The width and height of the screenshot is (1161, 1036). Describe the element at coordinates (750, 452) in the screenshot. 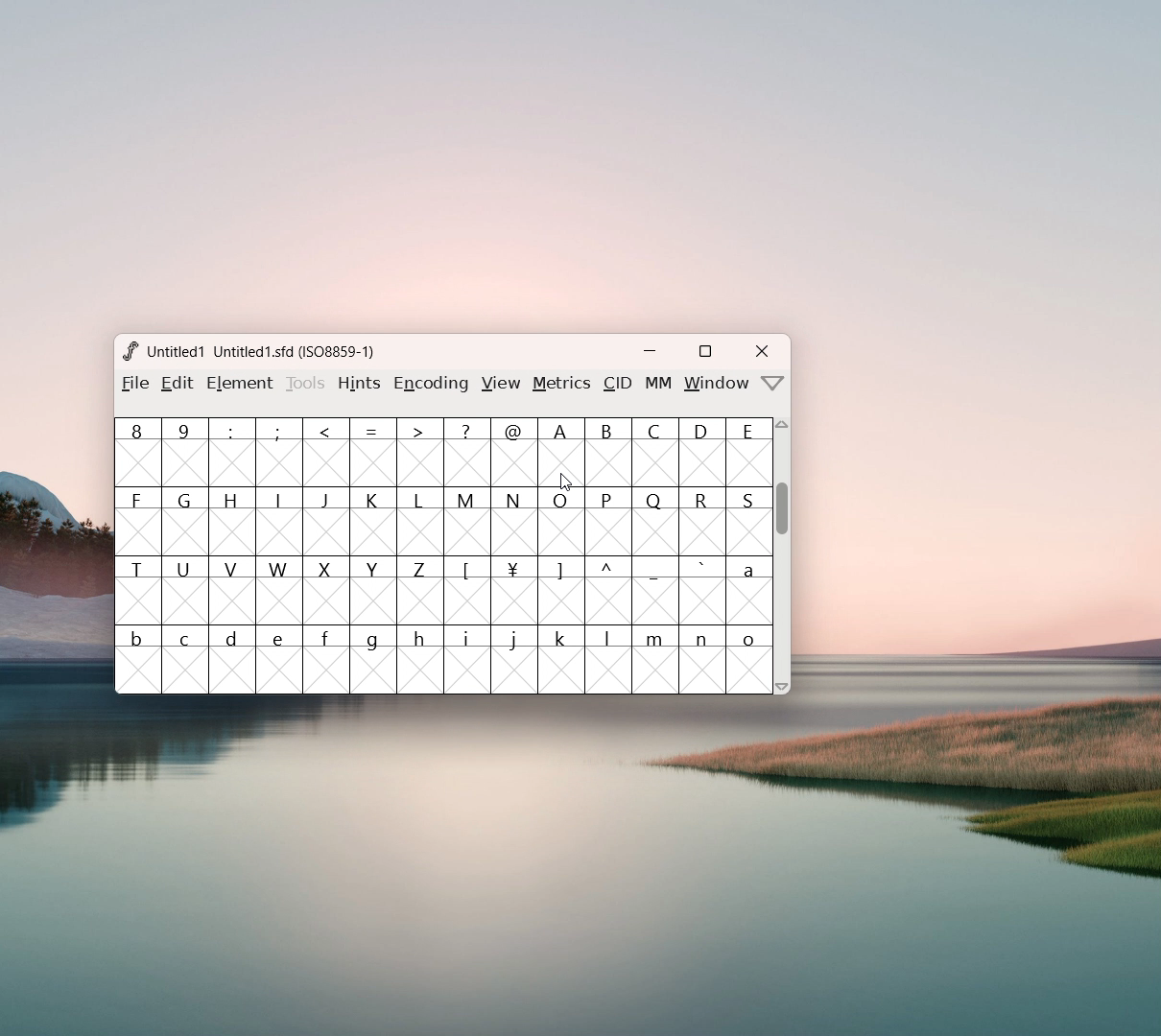

I see `E` at that location.